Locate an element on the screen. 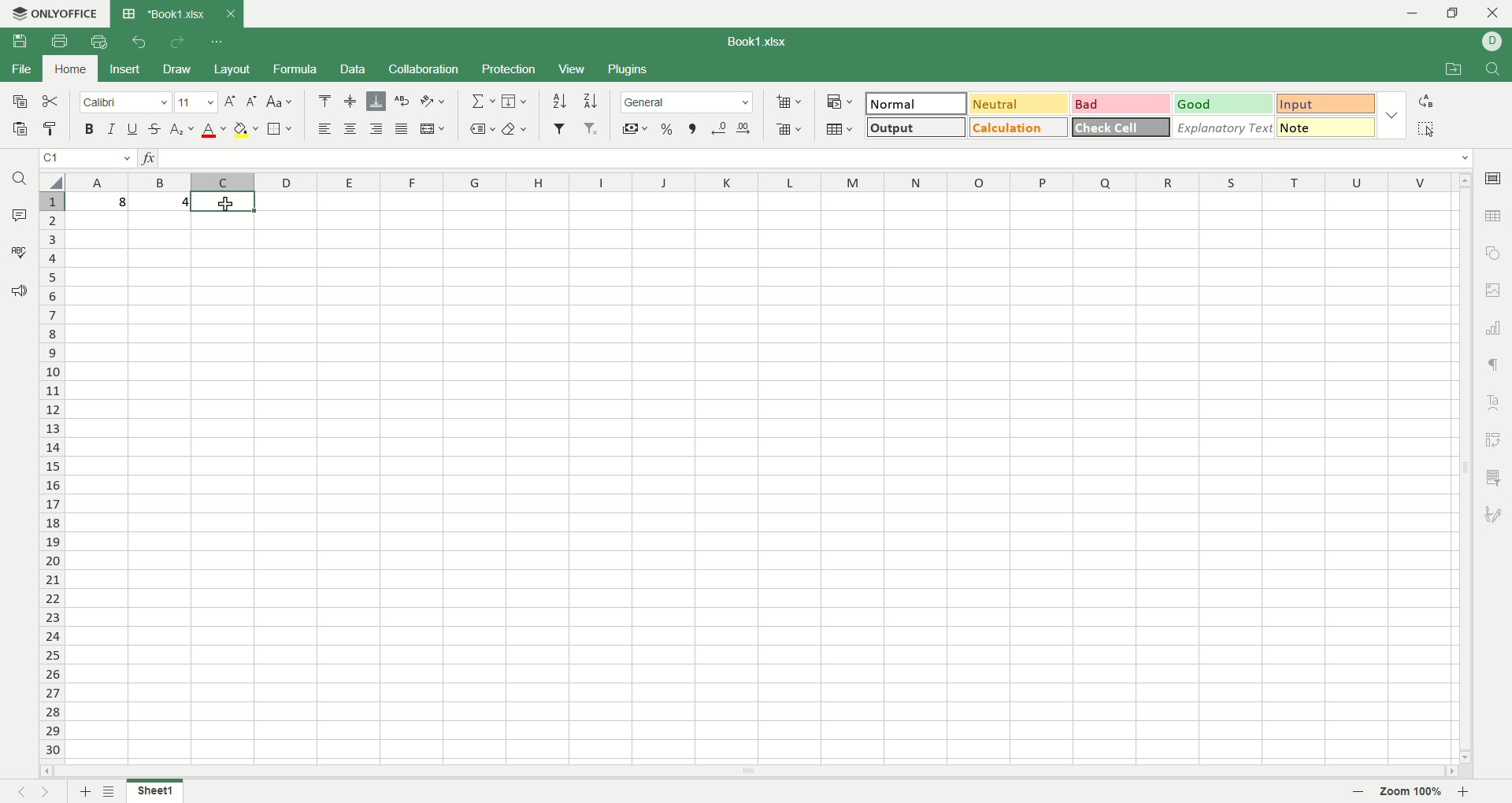  close is located at coordinates (1494, 13).